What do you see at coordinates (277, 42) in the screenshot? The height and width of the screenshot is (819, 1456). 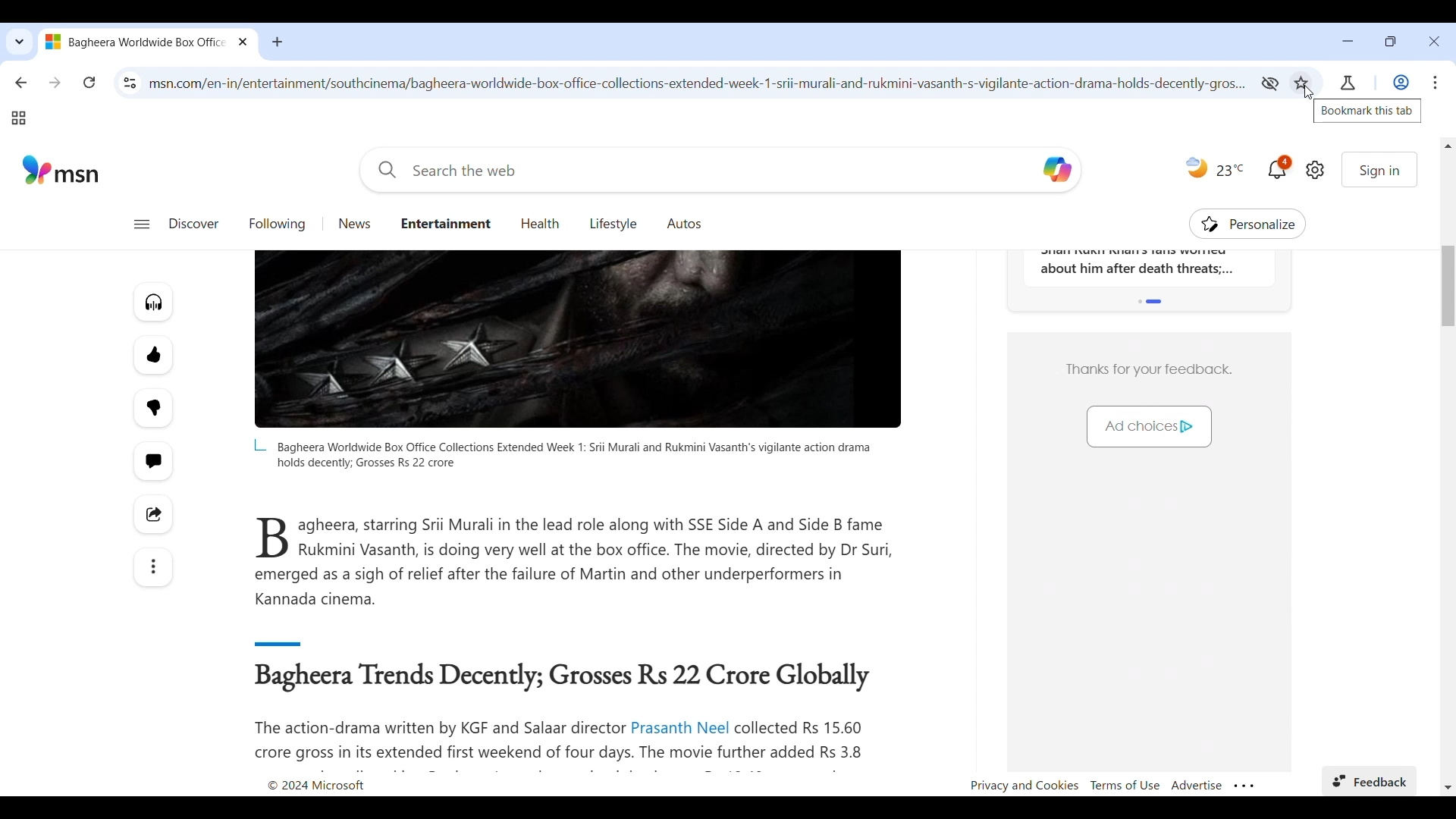 I see `Add tab` at bounding box center [277, 42].